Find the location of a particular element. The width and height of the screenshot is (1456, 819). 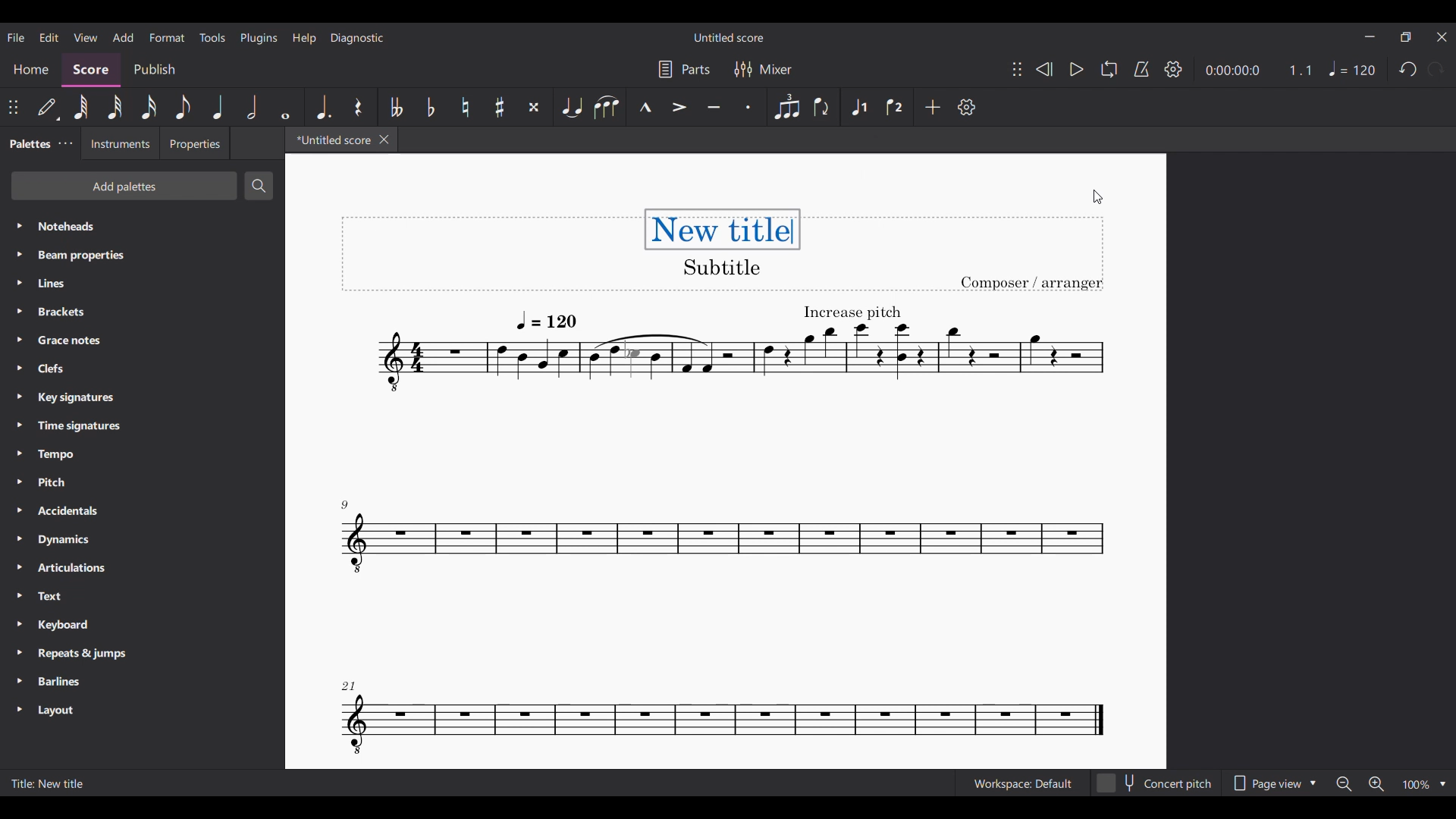

Mixer settings is located at coordinates (764, 70).